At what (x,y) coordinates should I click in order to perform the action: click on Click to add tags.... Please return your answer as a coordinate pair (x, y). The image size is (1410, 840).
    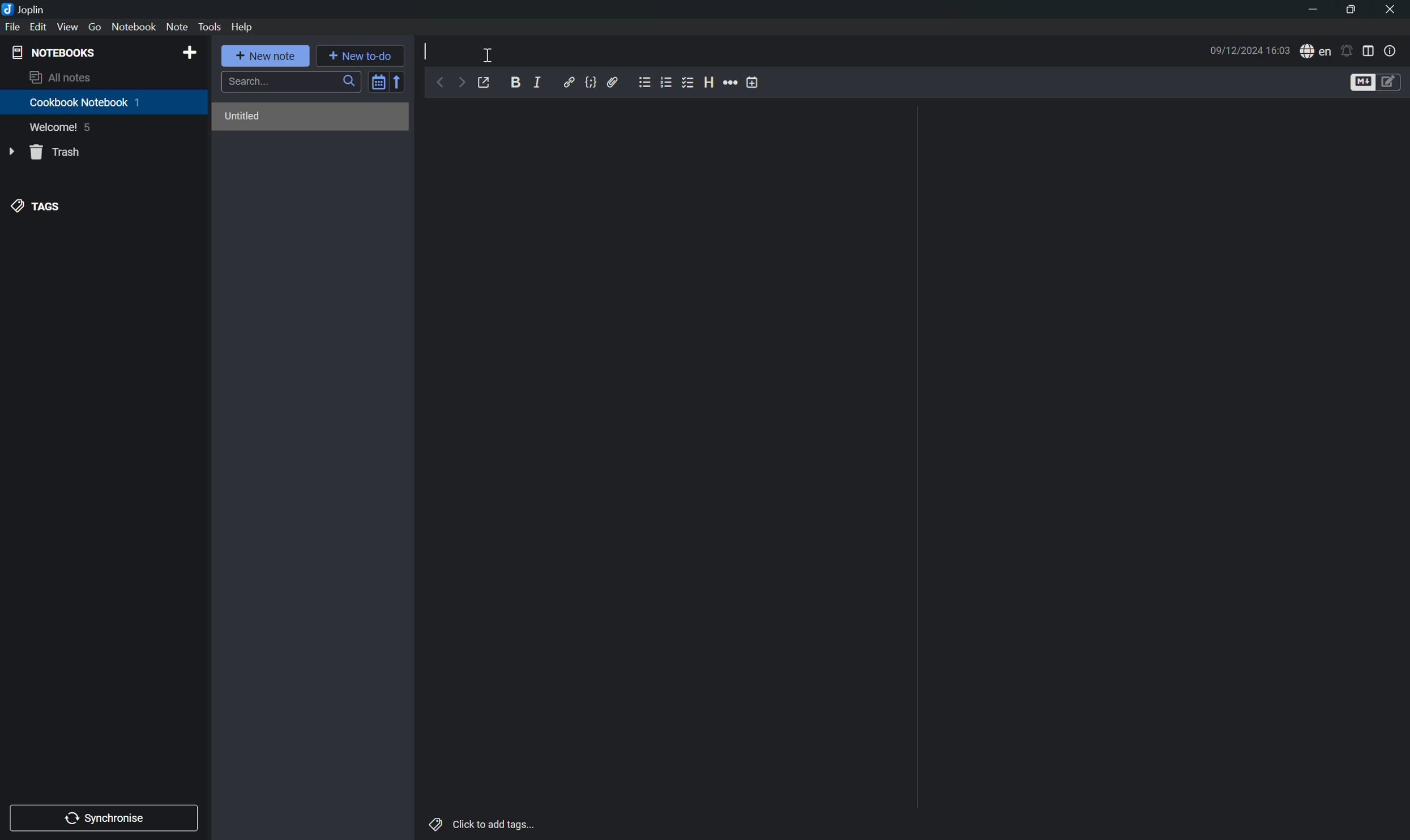
    Looking at the image, I should click on (484, 826).